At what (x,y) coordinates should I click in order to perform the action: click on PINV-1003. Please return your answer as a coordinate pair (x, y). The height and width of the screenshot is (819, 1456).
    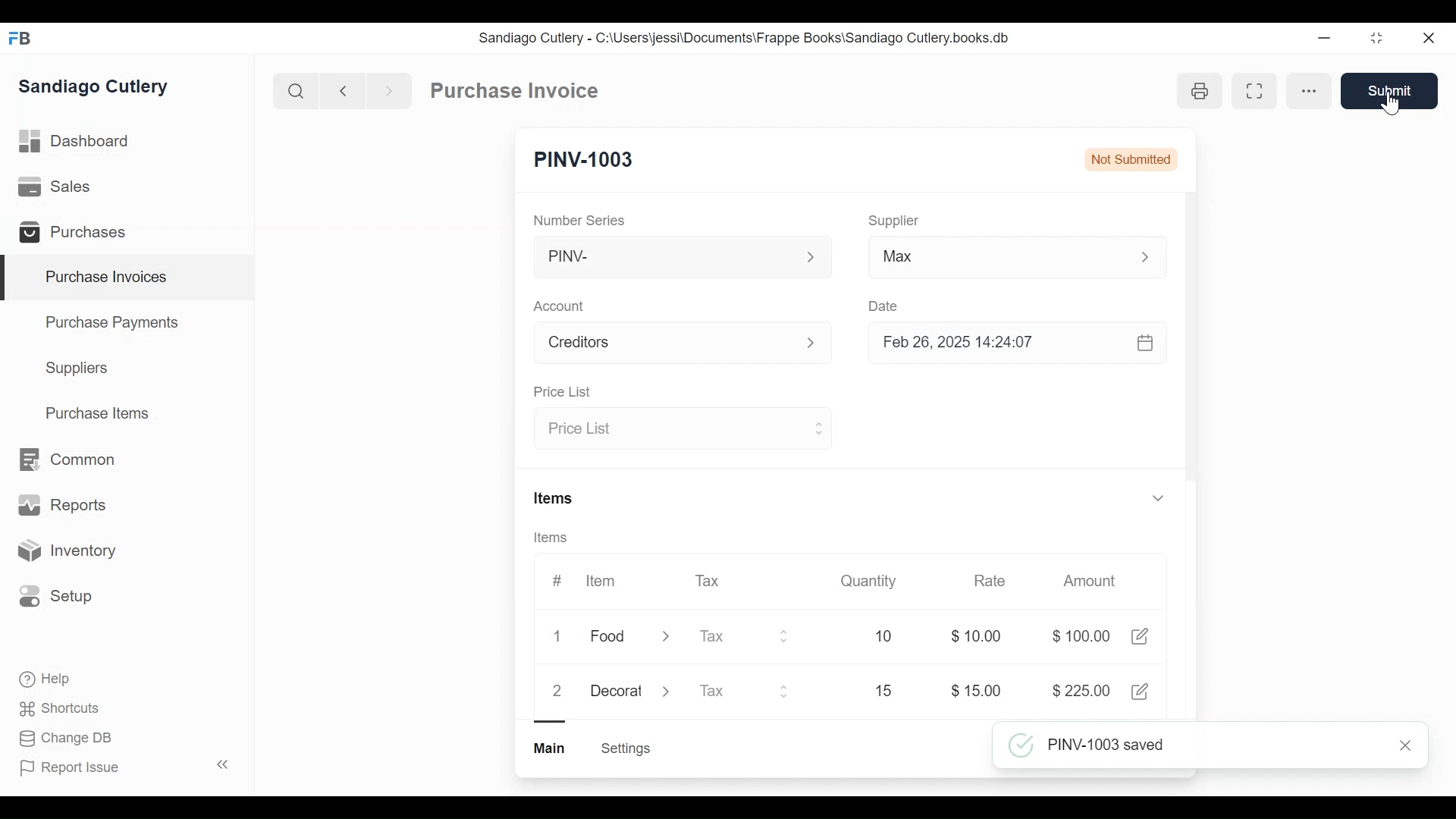
    Looking at the image, I should click on (583, 160).